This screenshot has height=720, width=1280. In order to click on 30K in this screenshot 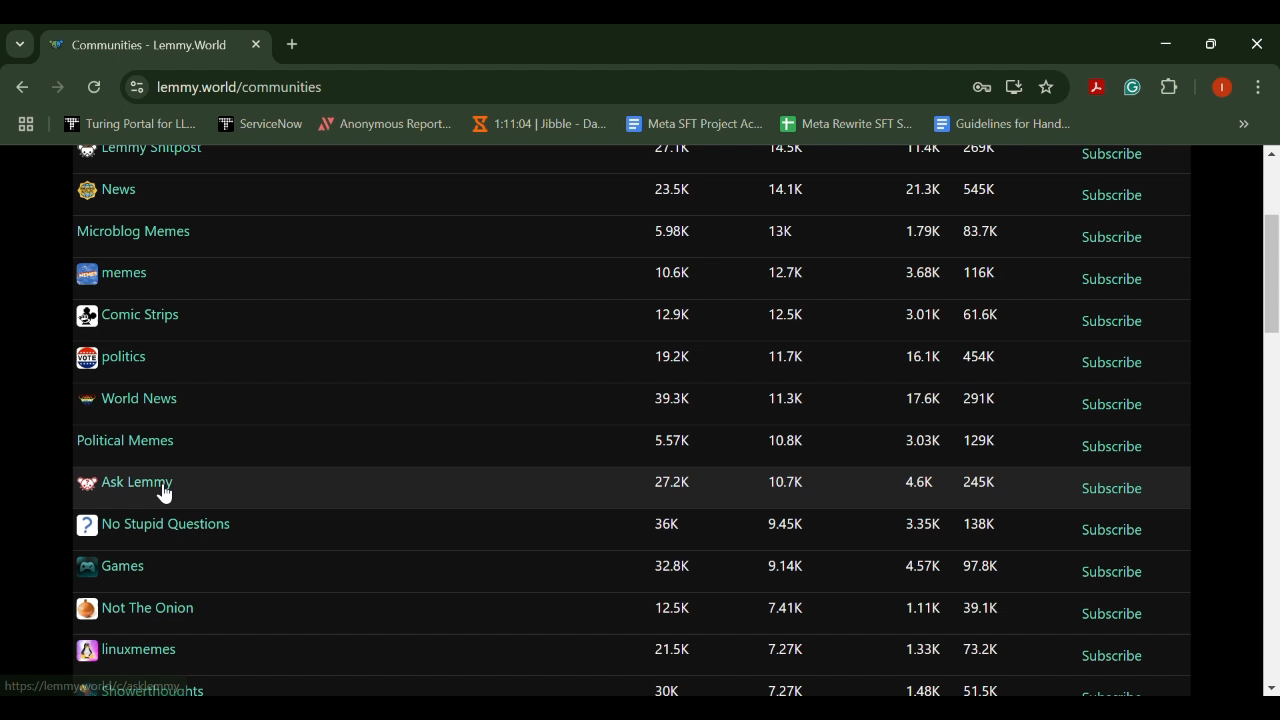, I will do `click(667, 691)`.